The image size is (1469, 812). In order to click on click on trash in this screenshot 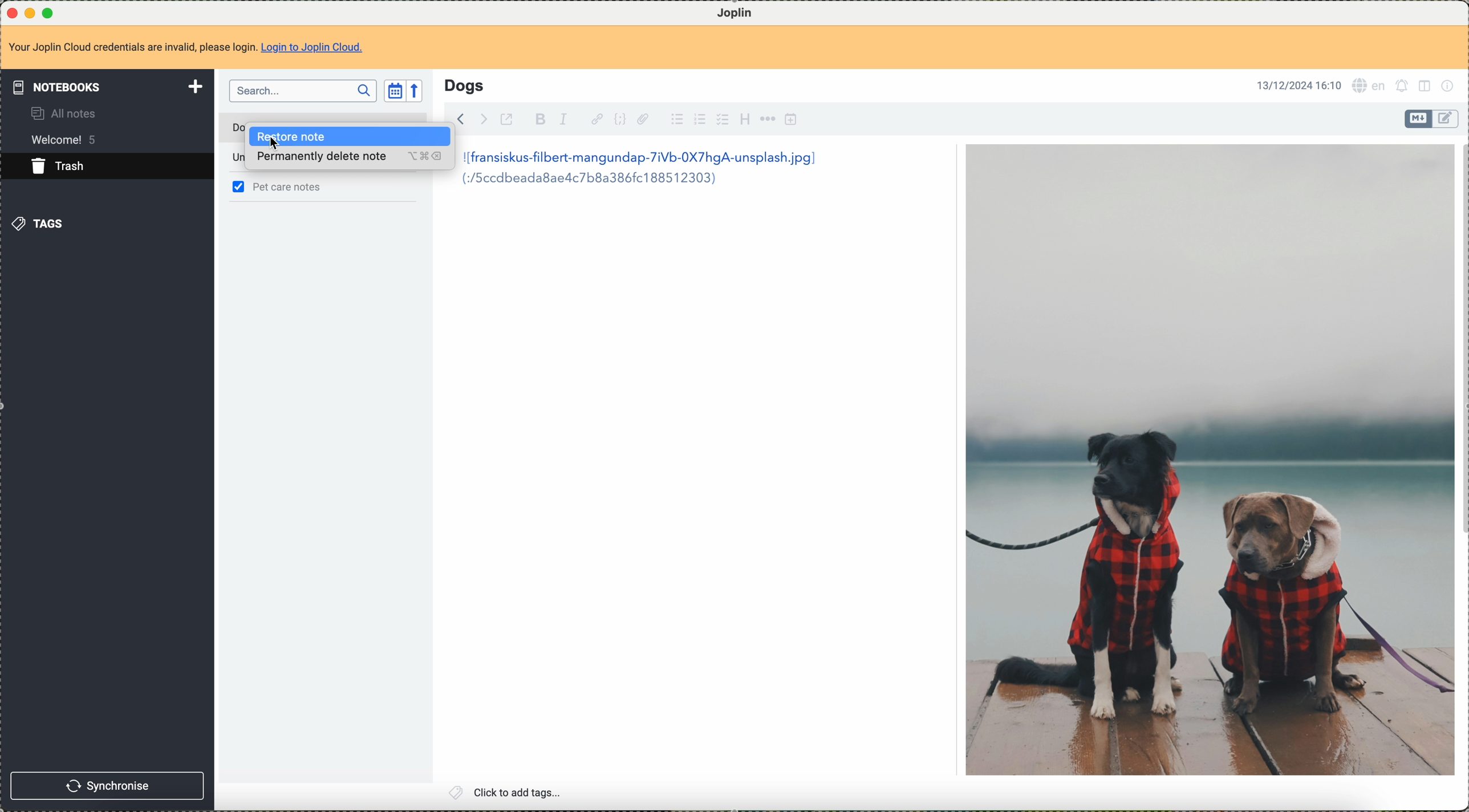, I will do `click(89, 170)`.